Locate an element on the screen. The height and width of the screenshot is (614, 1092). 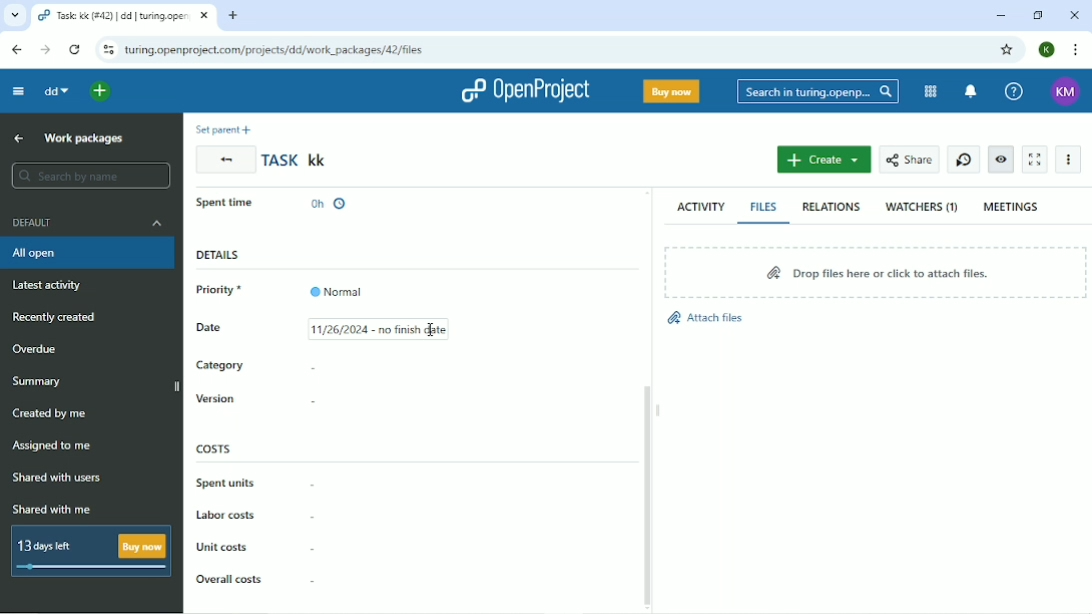
Default is located at coordinates (85, 222).